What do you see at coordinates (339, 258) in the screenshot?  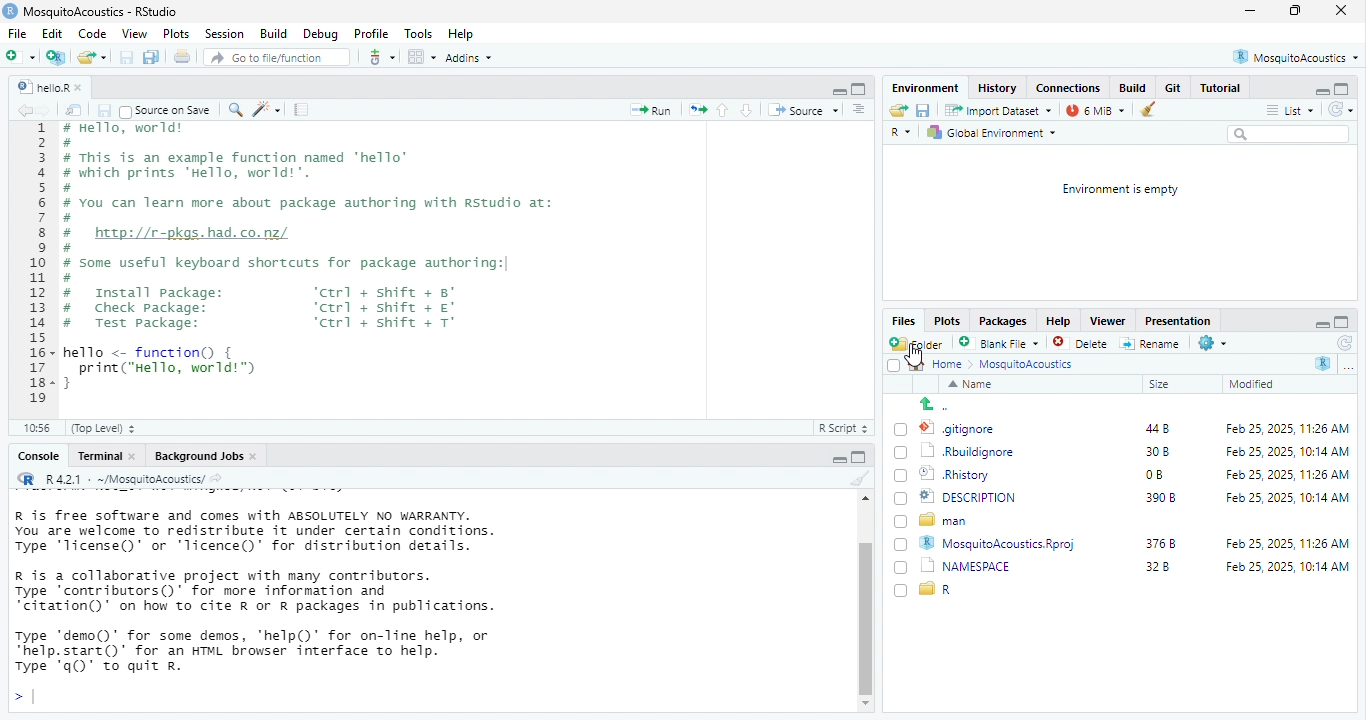 I see `maka Bel
 #

 # This is an example function named ‘hello’

 # which prints ‘Hello, world!".

5 #

5 # You can learn more about package authoring with Rstudio at:
a

3 #  http://r-pkgs.had.co.nz/

) #

) # some useful keyboard shortcuts for package authoring:|

Lo.

 # Install package: ‘ctrl + shift + 8’

3 # Check package: ‘ctrl + shift + €'

 # Test package: ‘ctrl + shift + T°

]

5+ hello <- function() {

~~ print("Hello, world!™)

3+}` at bounding box center [339, 258].